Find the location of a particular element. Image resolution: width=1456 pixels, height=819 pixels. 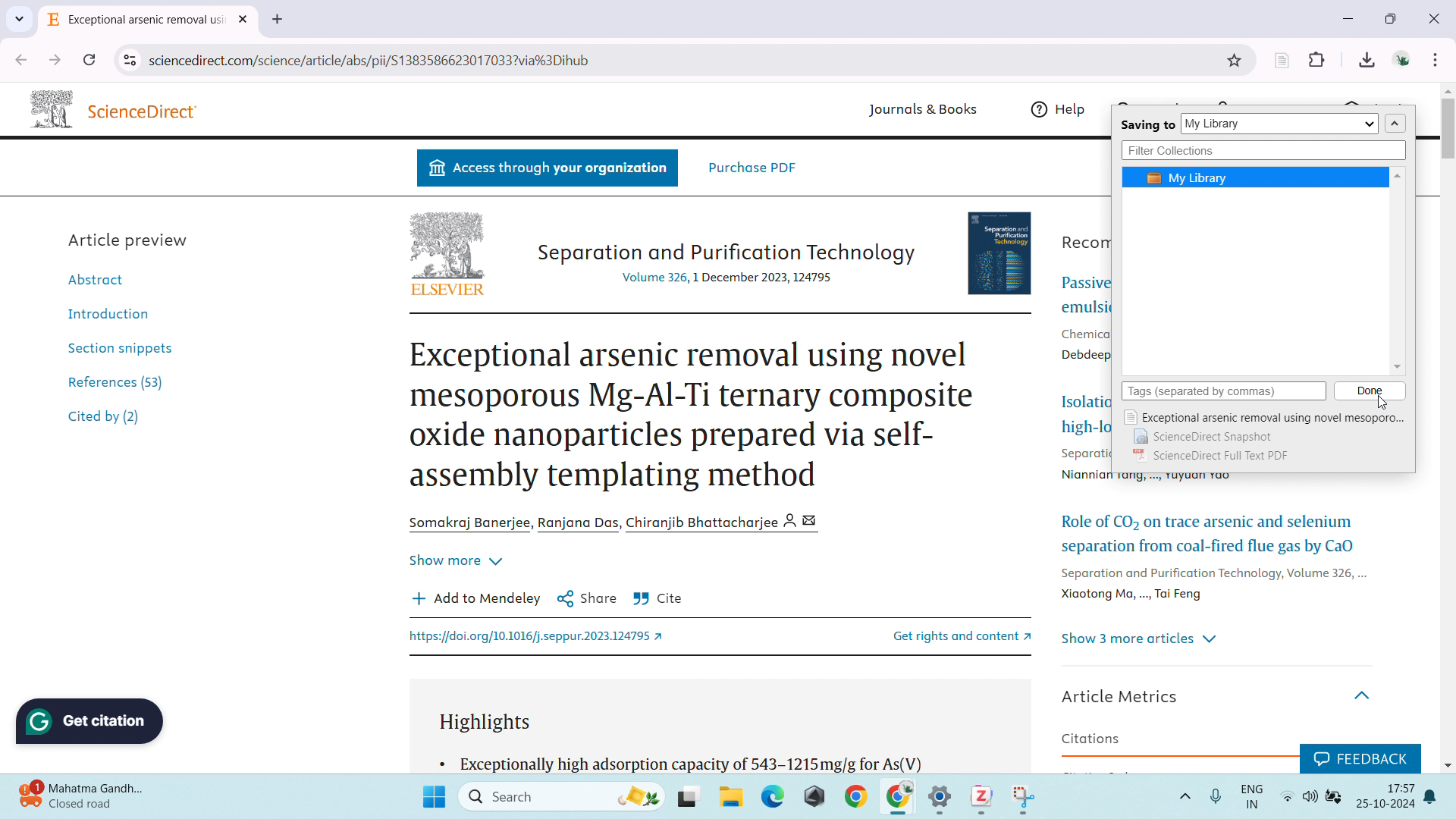

References (53) is located at coordinates (120, 380).